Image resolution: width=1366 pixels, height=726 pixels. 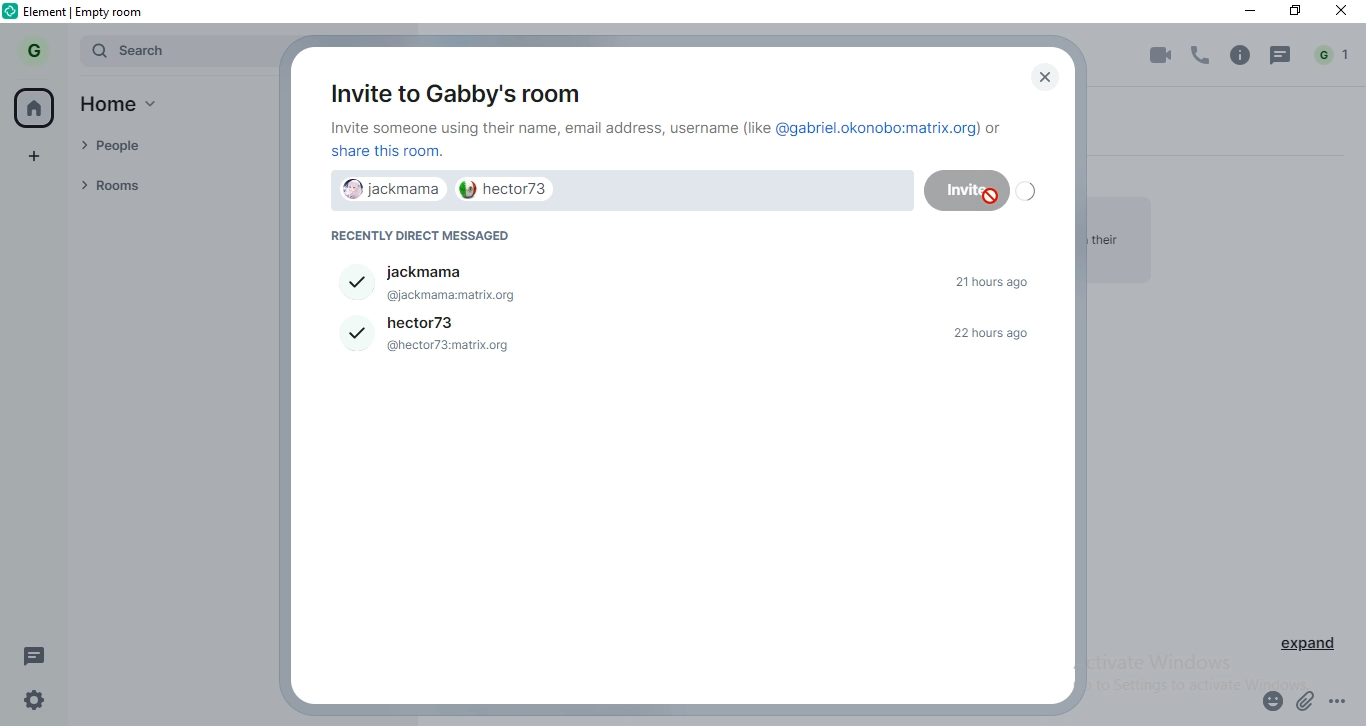 What do you see at coordinates (1334, 55) in the screenshot?
I see `notification` at bounding box center [1334, 55].